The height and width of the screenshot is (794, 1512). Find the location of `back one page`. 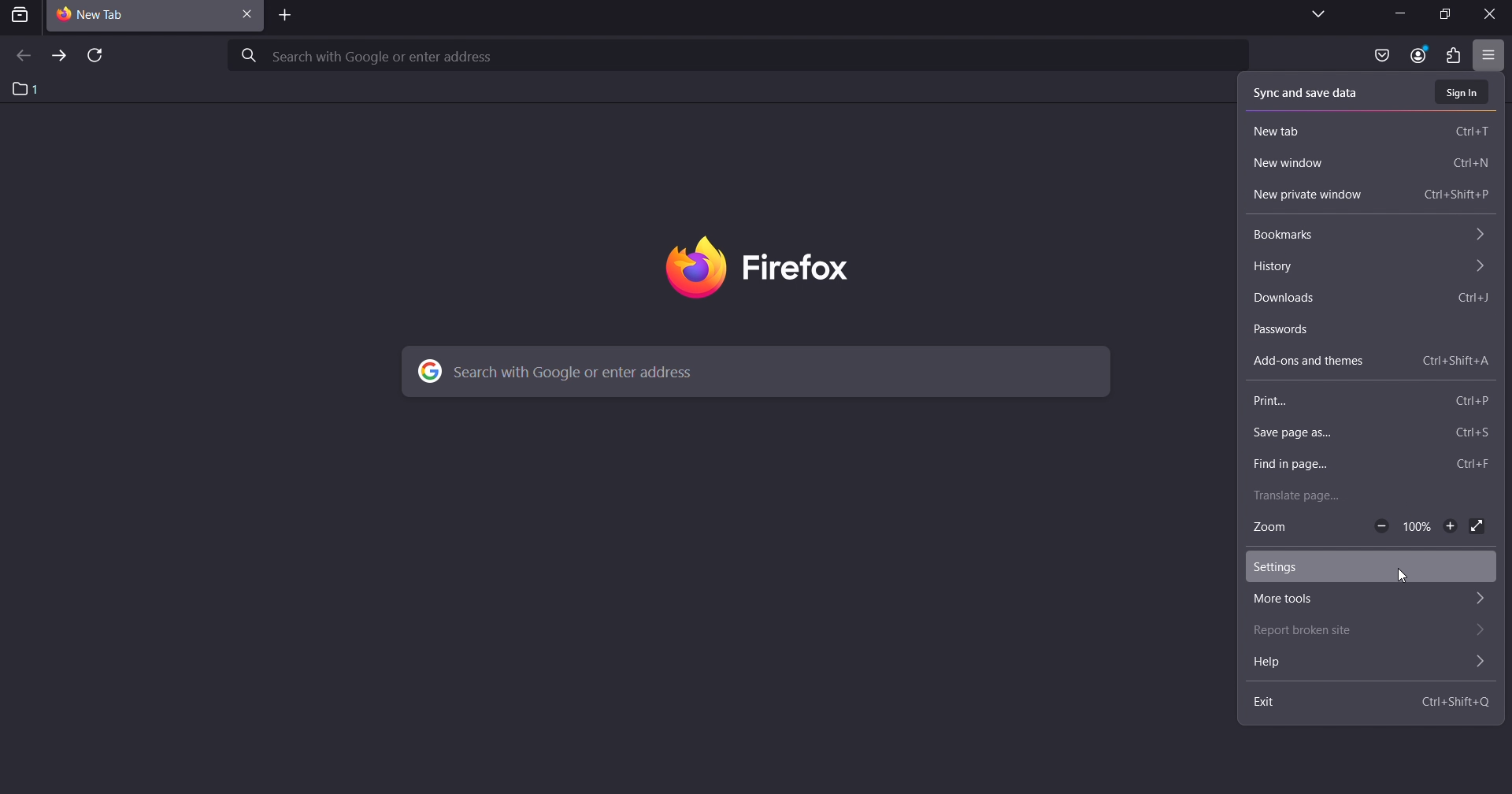

back one page is located at coordinates (23, 57).